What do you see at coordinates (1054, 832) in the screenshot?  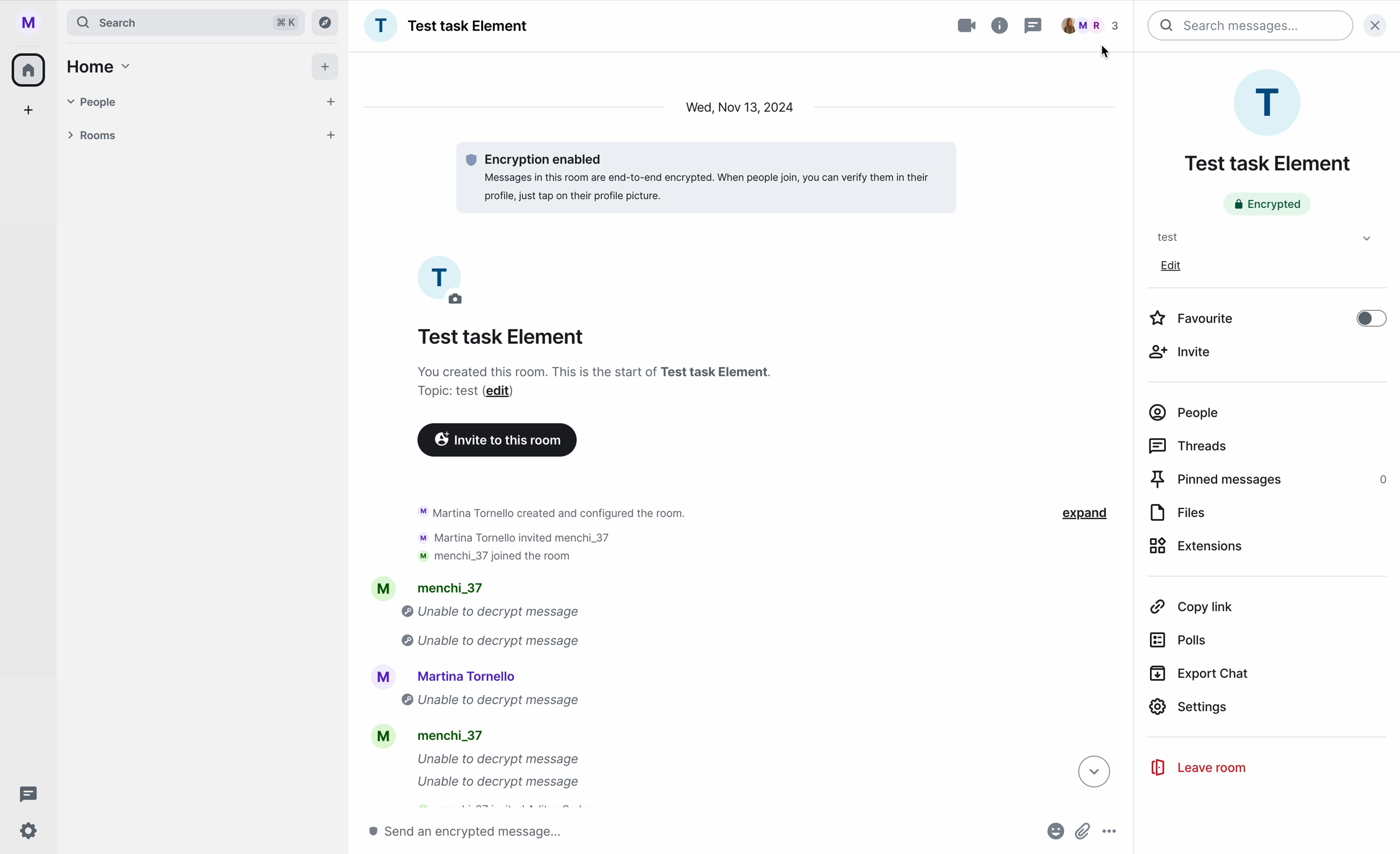 I see `emojis` at bounding box center [1054, 832].